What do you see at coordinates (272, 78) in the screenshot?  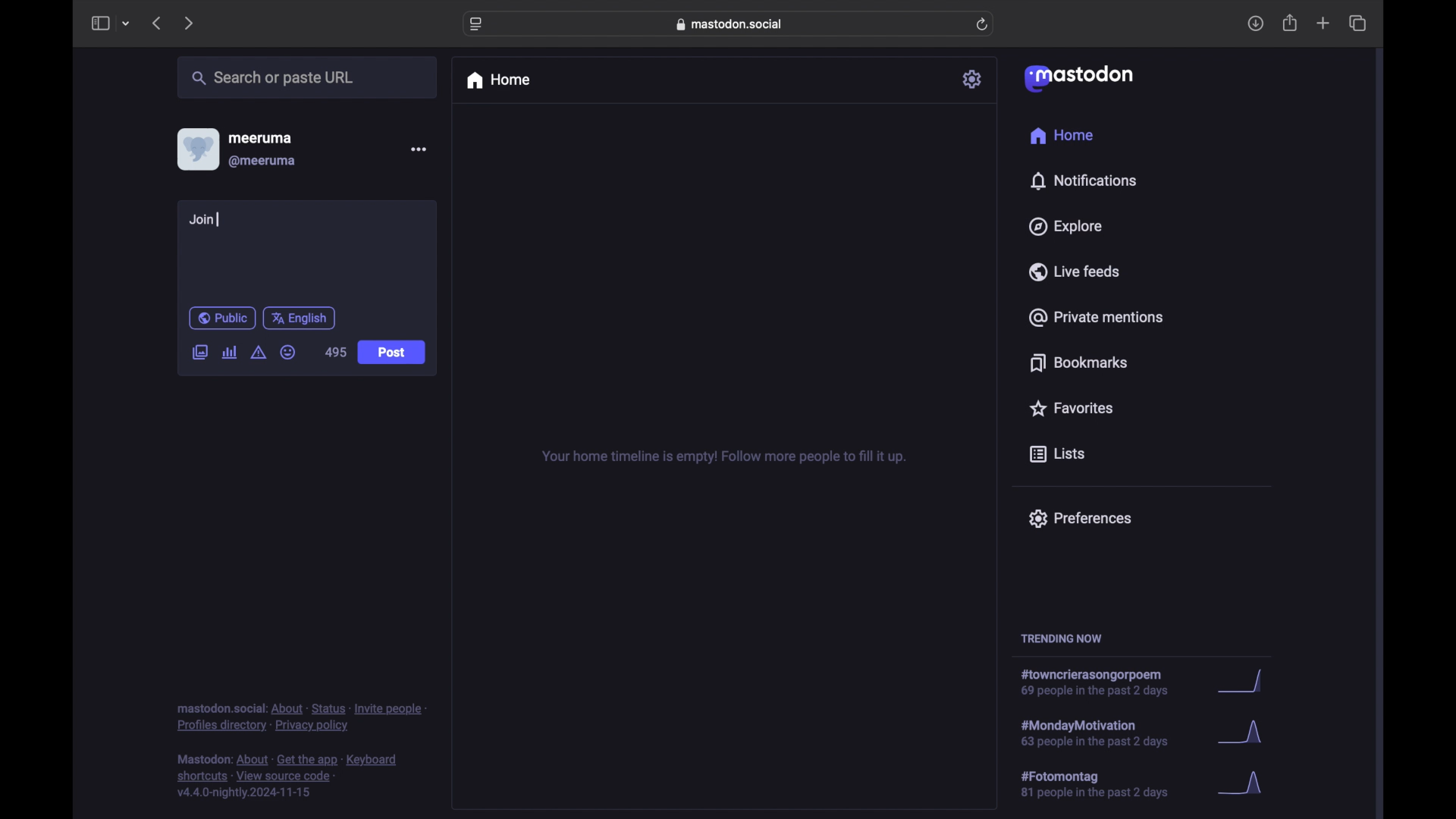 I see `search or paste url` at bounding box center [272, 78].